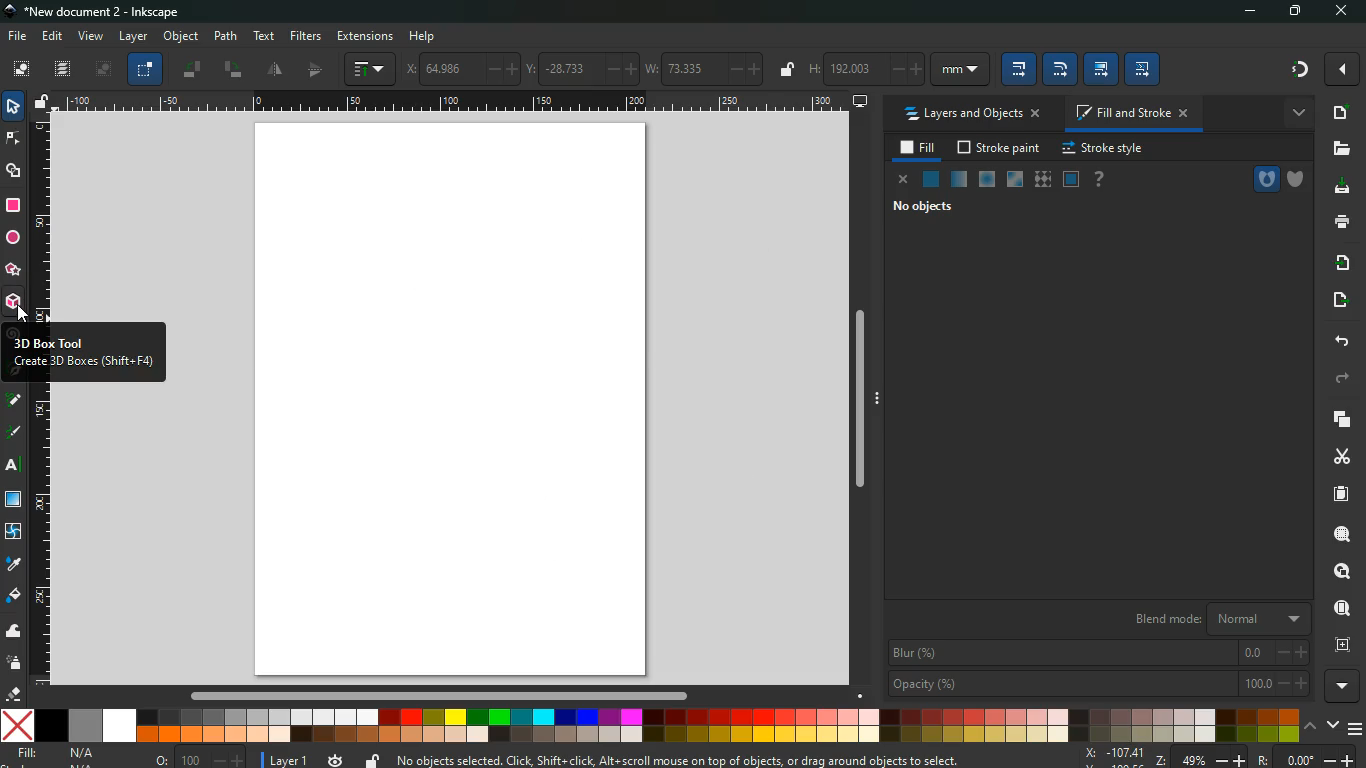 This screenshot has width=1366, height=768. What do you see at coordinates (787, 72) in the screenshot?
I see `unlock` at bounding box center [787, 72].